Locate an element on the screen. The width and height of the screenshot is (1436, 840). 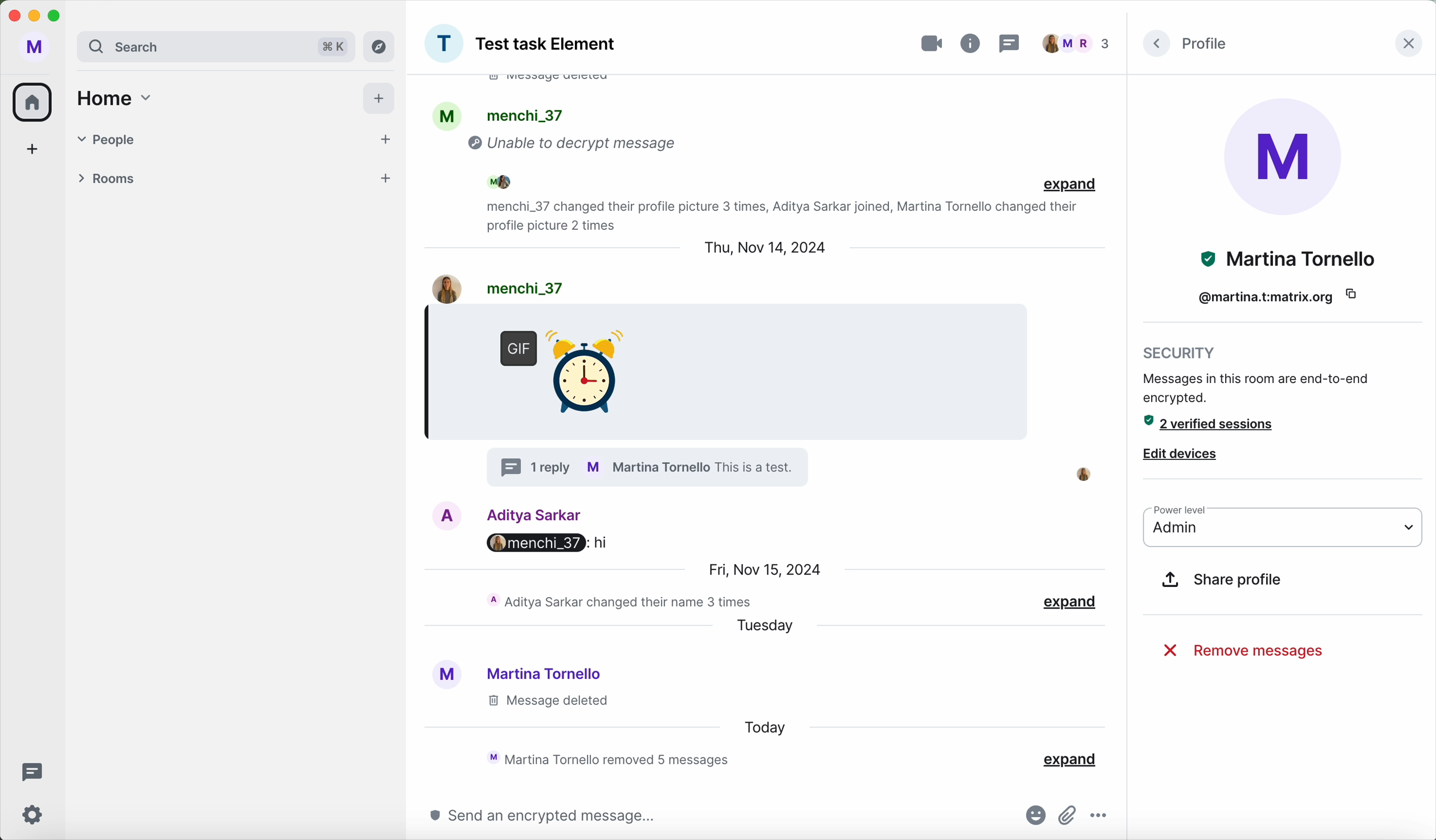
GIF is located at coordinates (556, 366).